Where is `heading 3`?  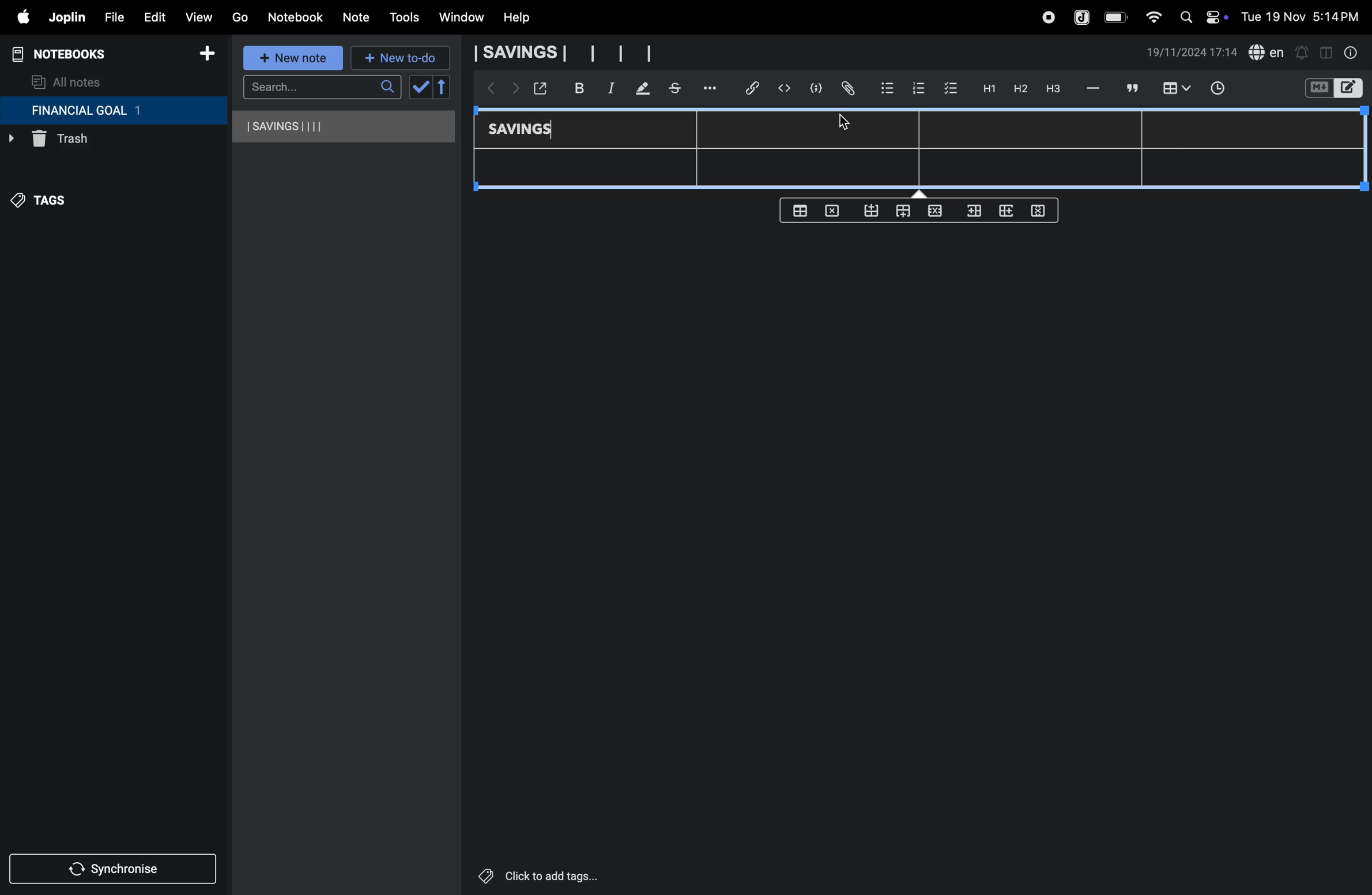 heading 3 is located at coordinates (1053, 89).